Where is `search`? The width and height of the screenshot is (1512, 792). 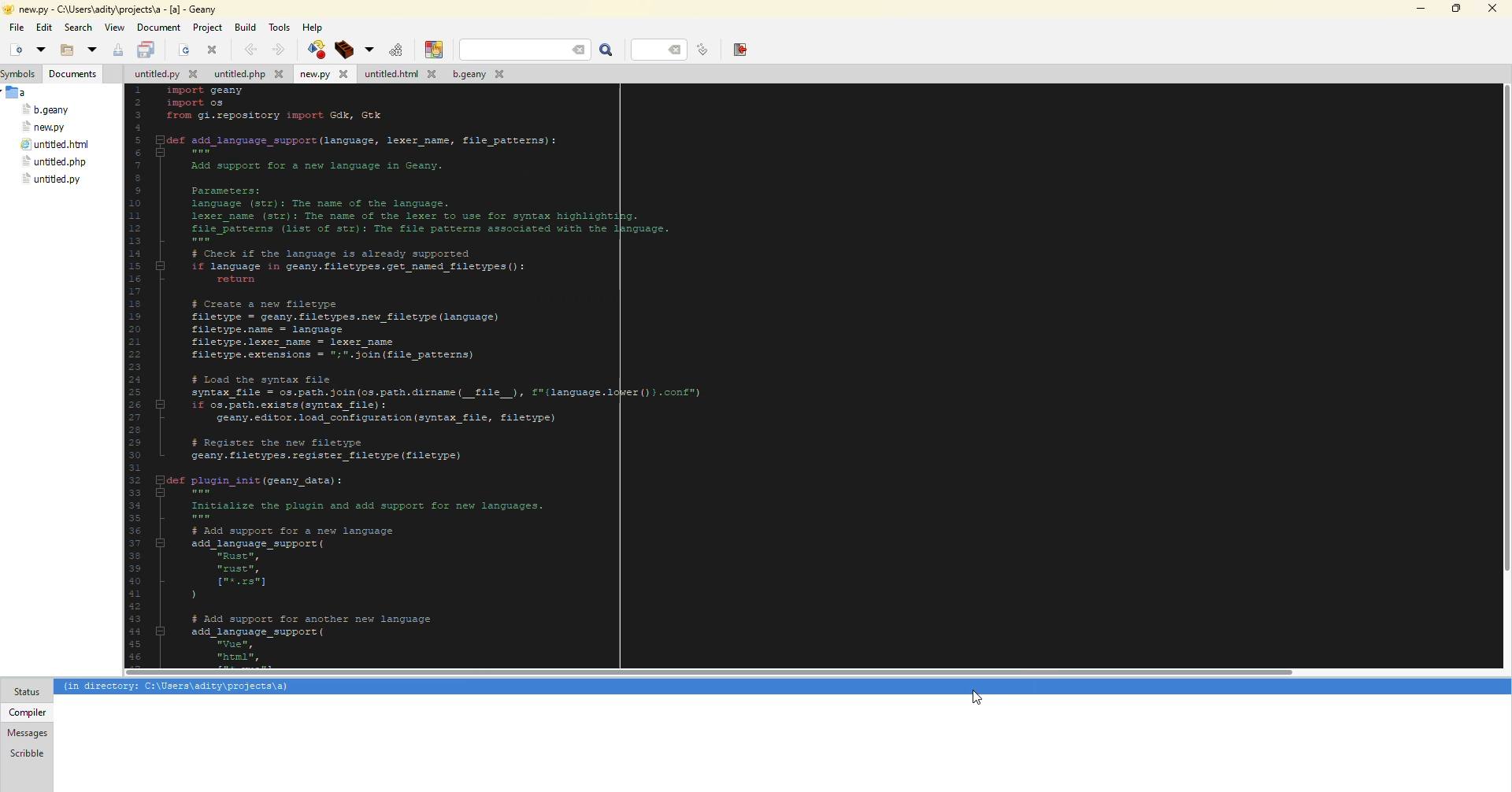
search is located at coordinates (525, 50).